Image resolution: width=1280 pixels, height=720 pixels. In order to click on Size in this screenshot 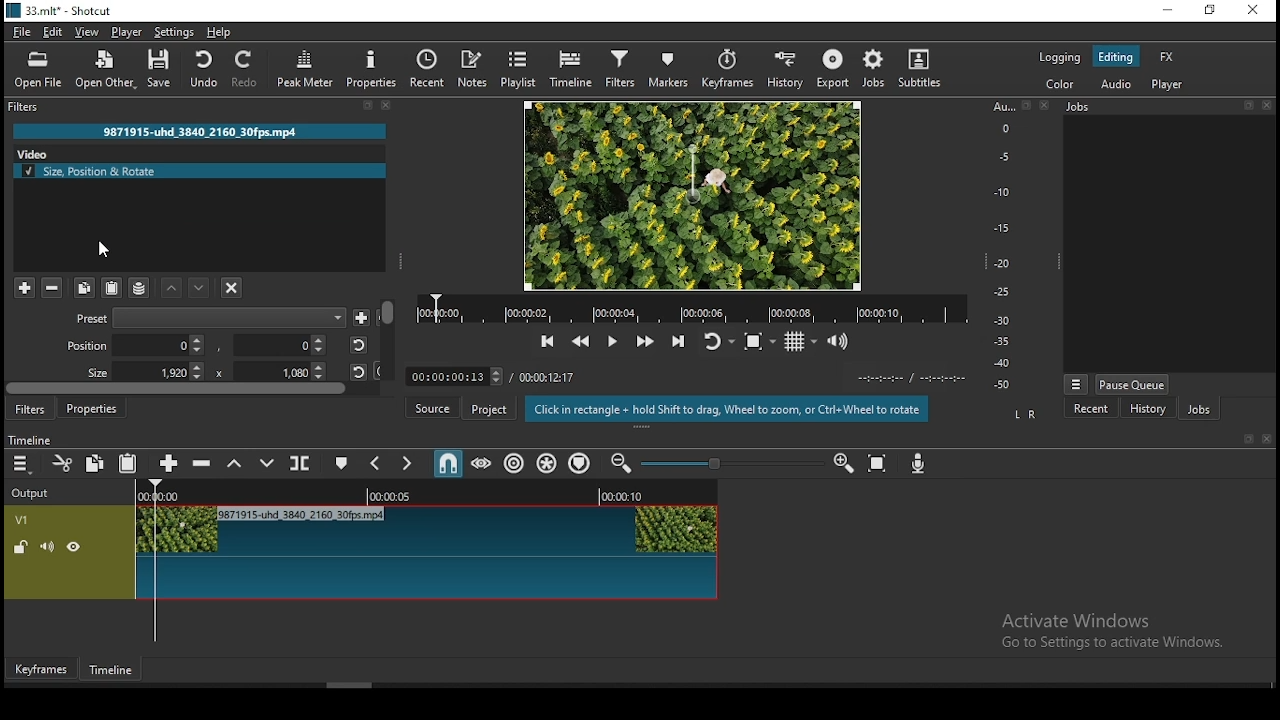, I will do `click(99, 372)`.